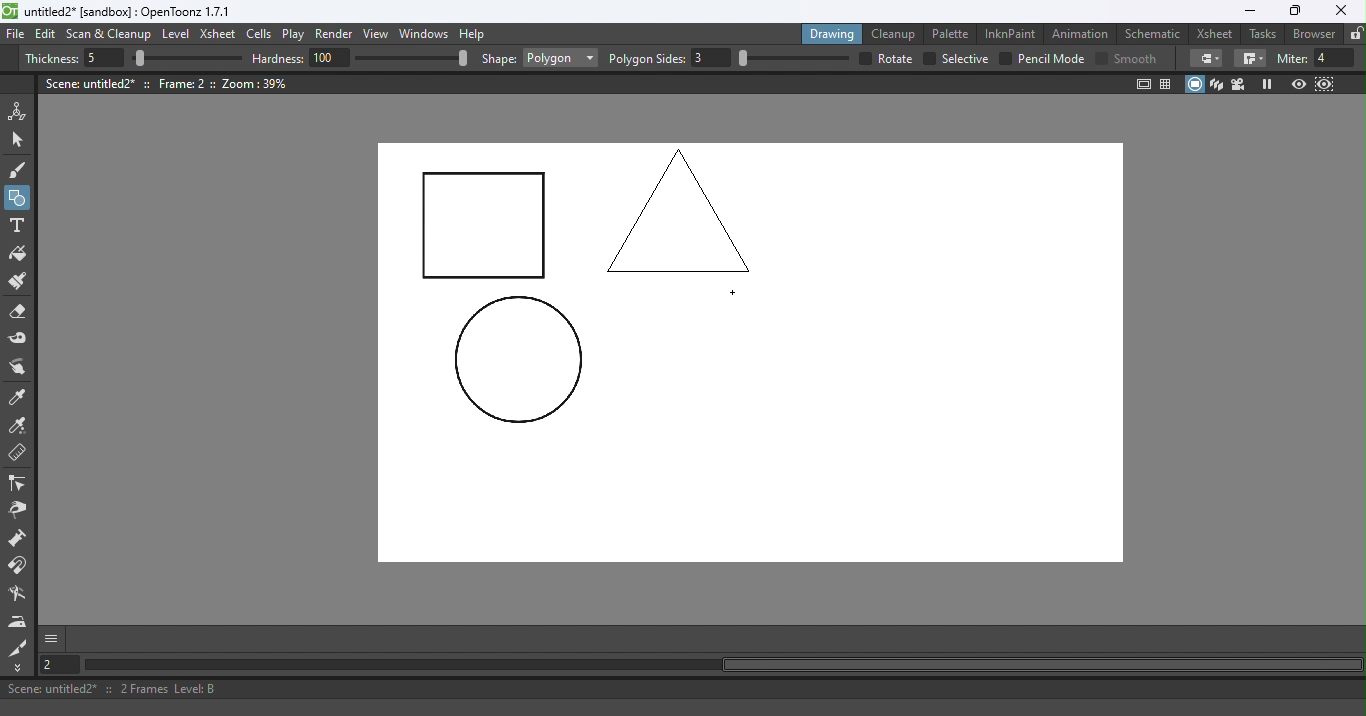  I want to click on Horizontal scroll bar, so click(722, 665).